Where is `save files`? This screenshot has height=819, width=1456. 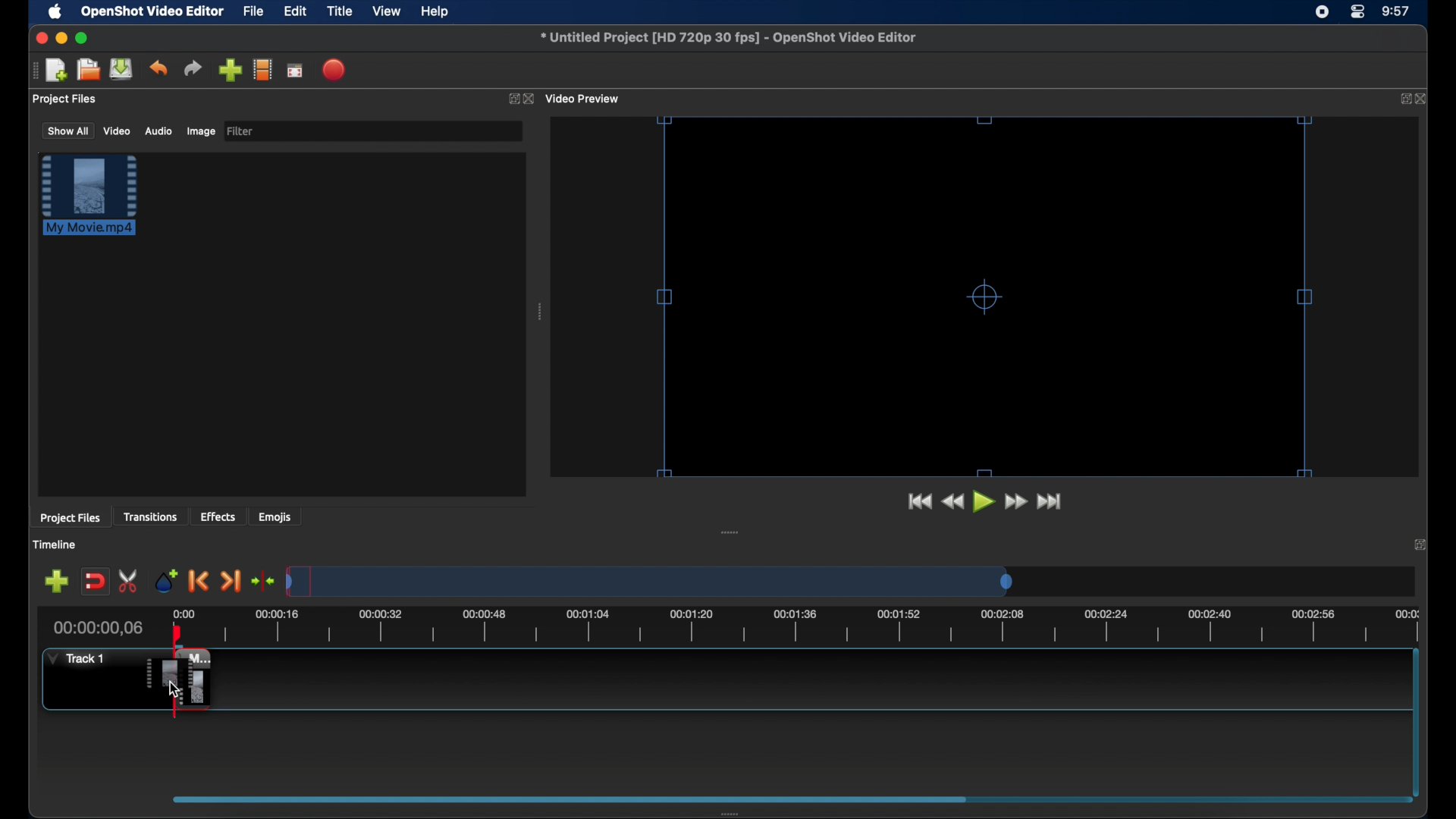
save files is located at coordinates (123, 69).